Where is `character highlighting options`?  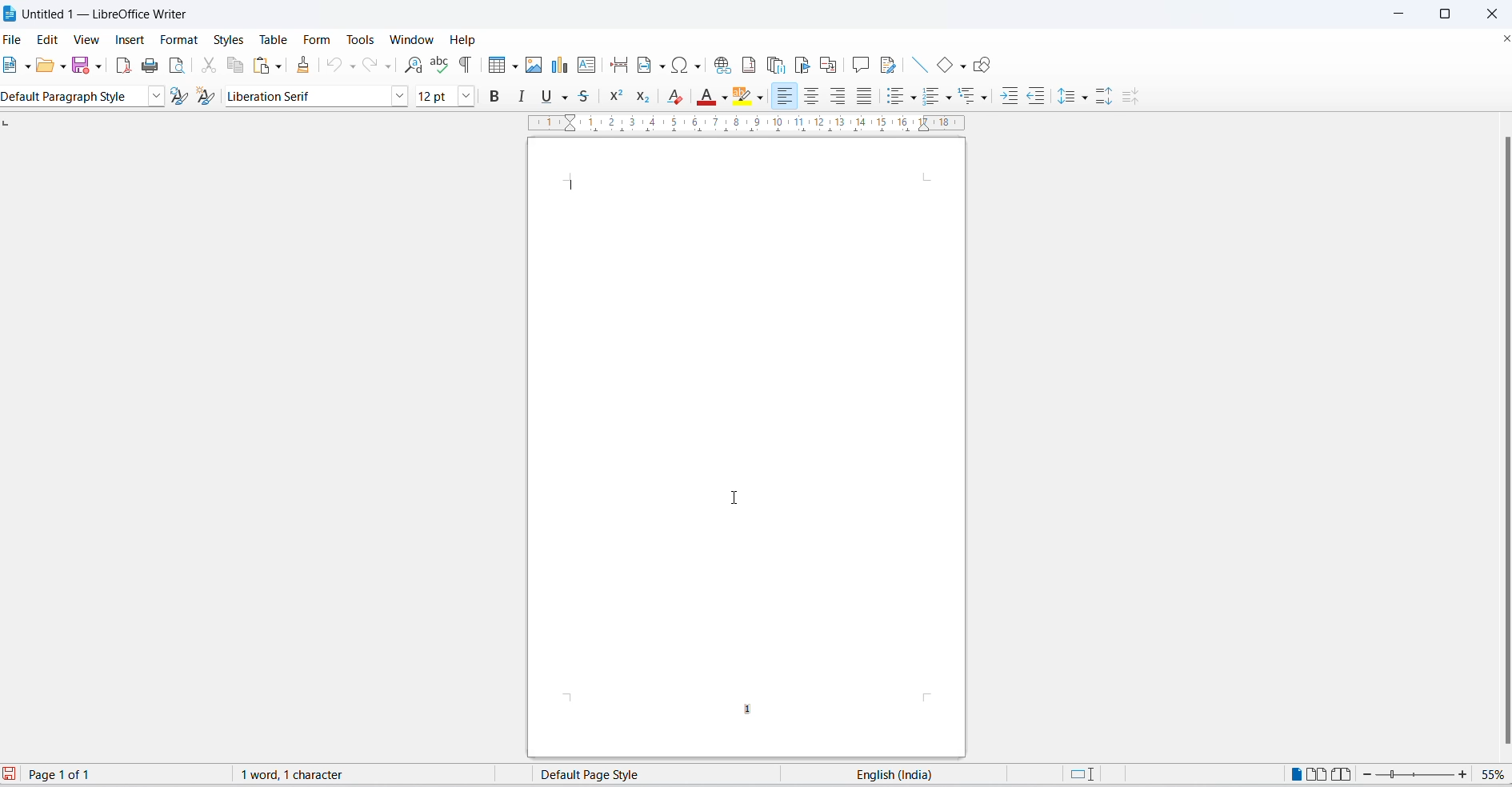 character highlighting options is located at coordinates (760, 98).